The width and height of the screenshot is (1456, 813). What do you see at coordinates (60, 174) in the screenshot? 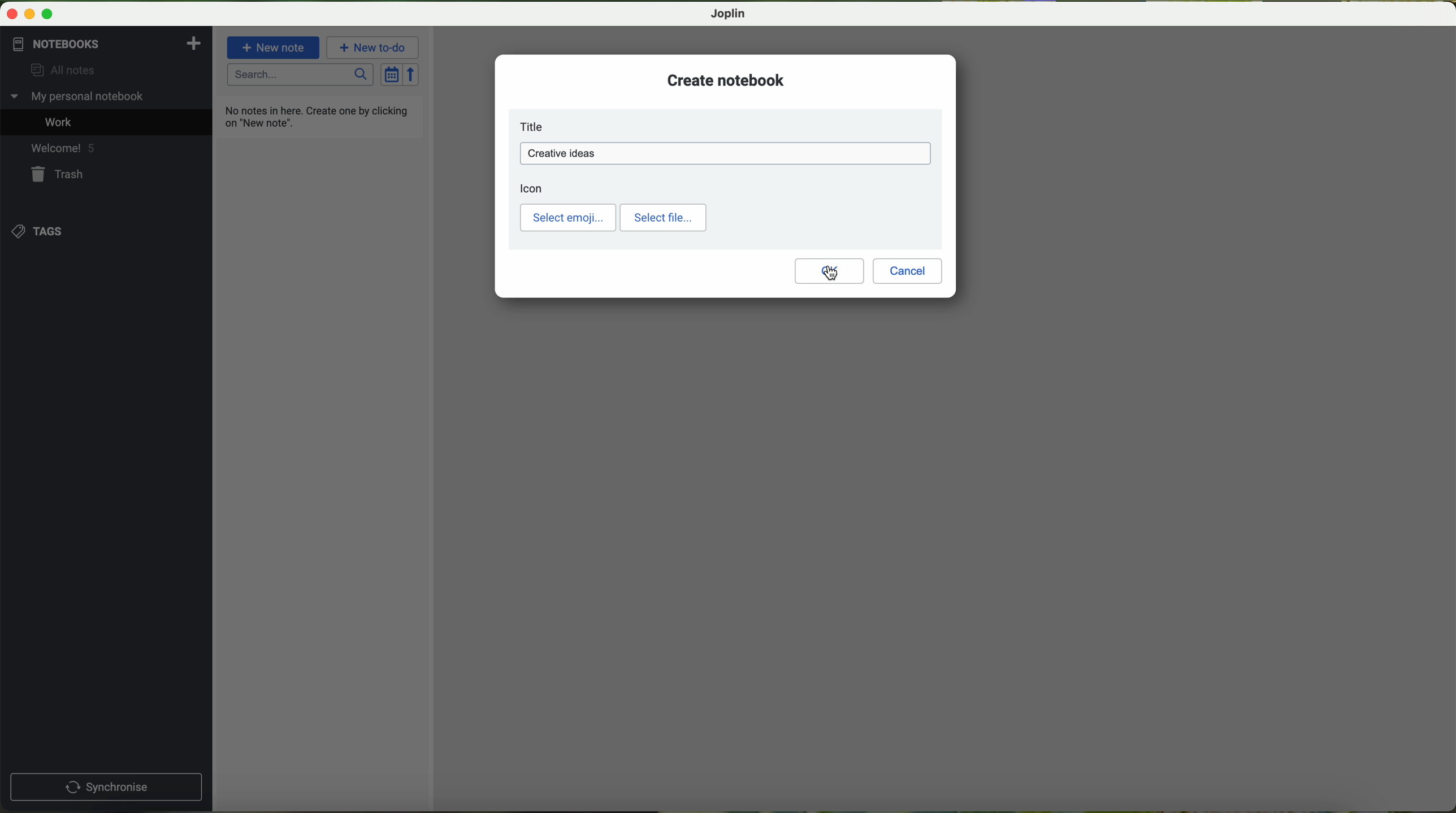
I see `trash` at bounding box center [60, 174].